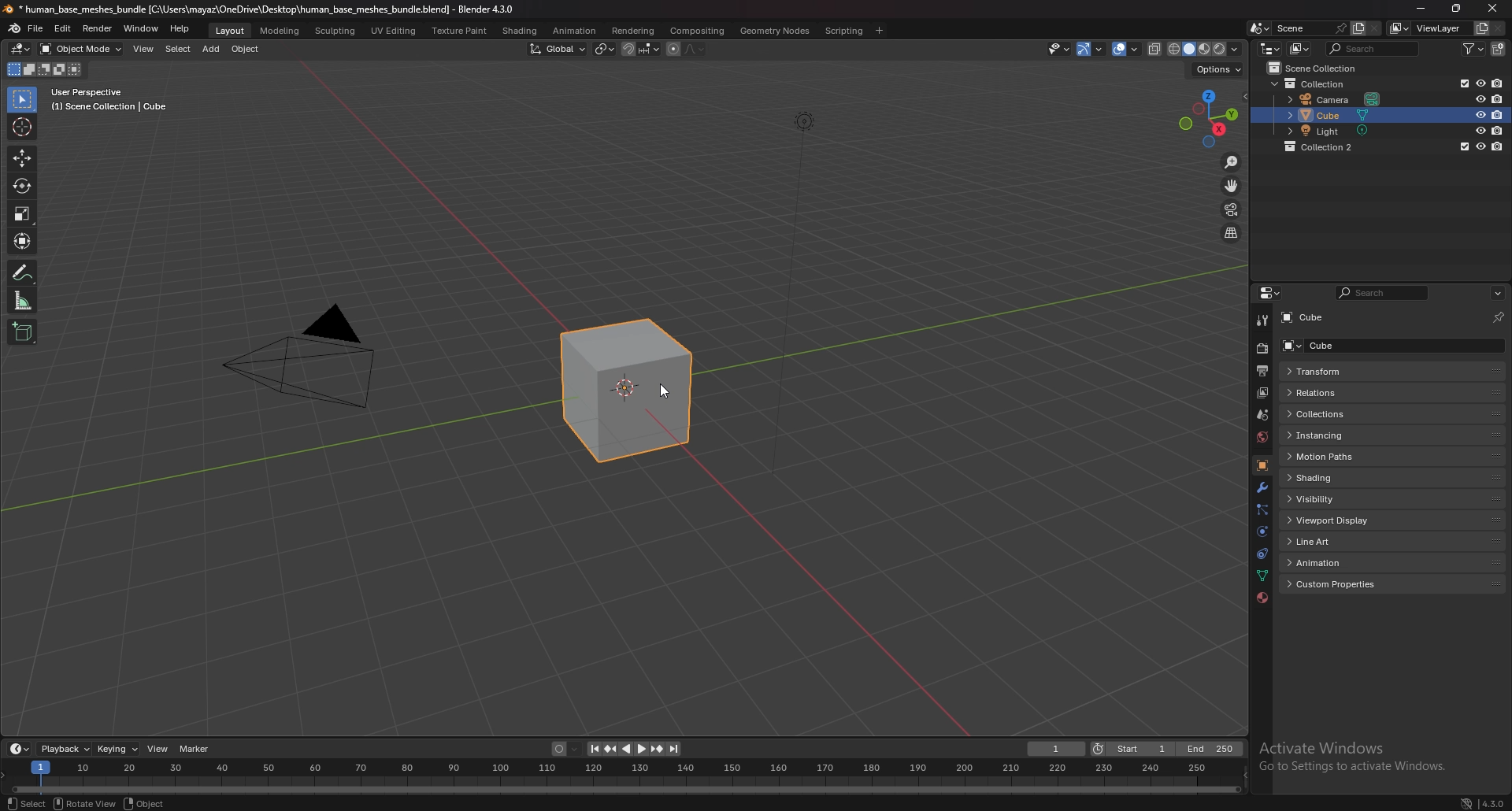  What do you see at coordinates (636, 396) in the screenshot?
I see `selected cube` at bounding box center [636, 396].